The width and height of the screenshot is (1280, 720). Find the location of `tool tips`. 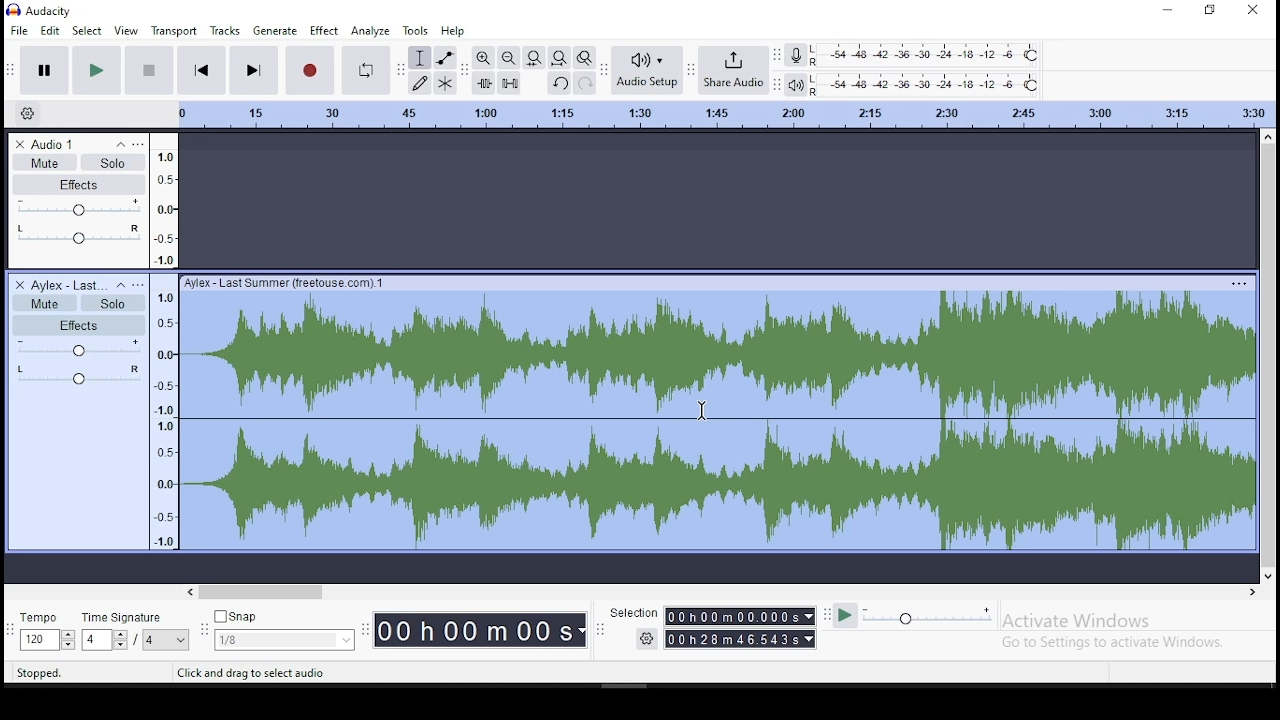

tool tips is located at coordinates (262, 673).